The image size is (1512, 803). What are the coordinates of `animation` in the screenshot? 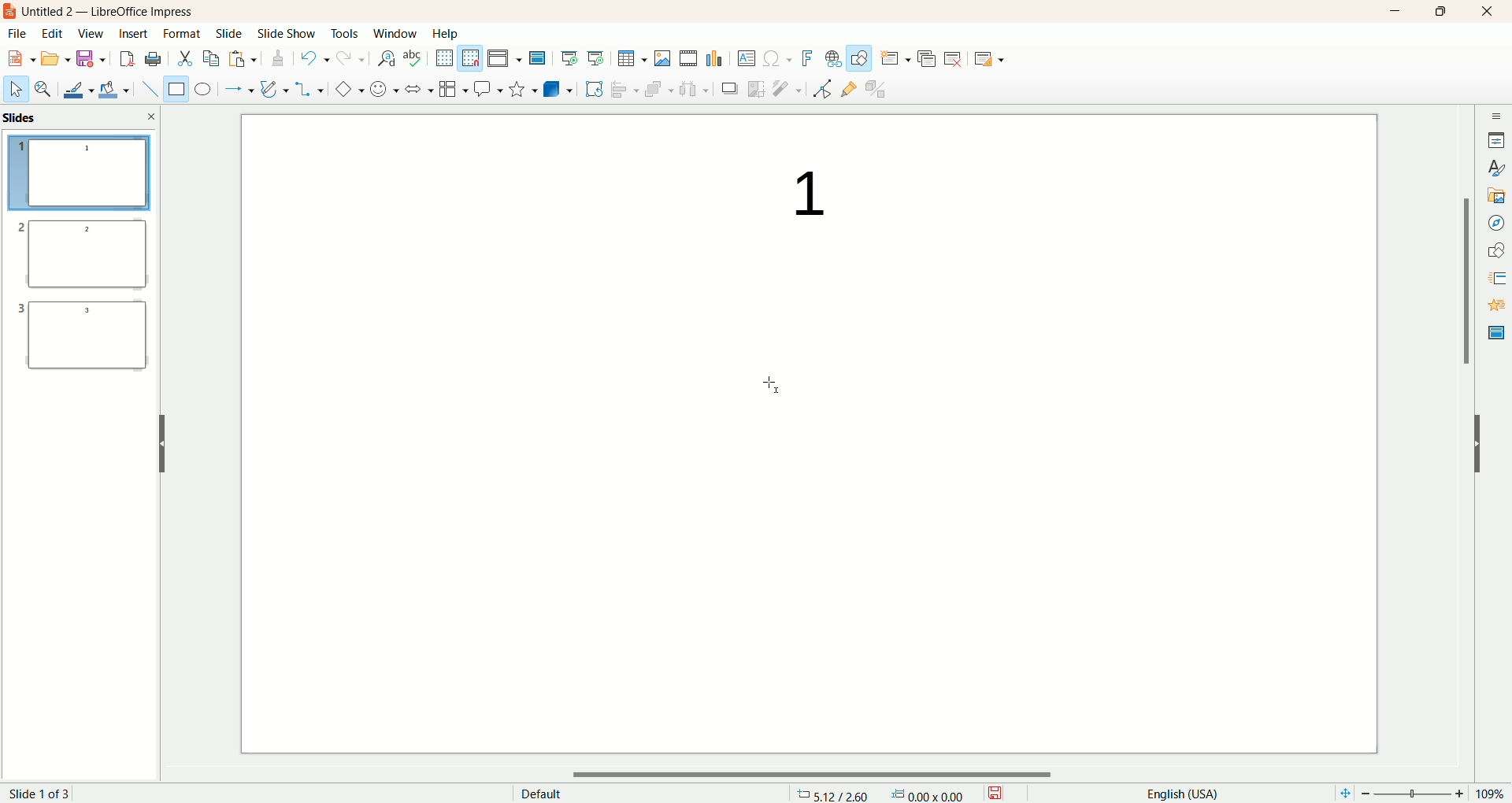 It's located at (1495, 305).